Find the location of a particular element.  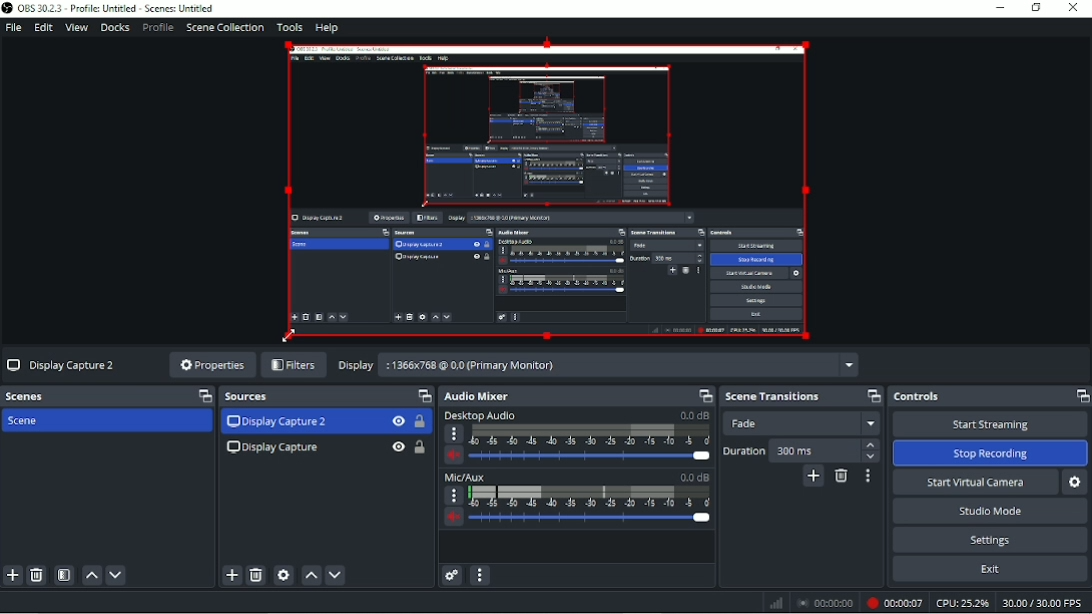

Filters is located at coordinates (294, 364).